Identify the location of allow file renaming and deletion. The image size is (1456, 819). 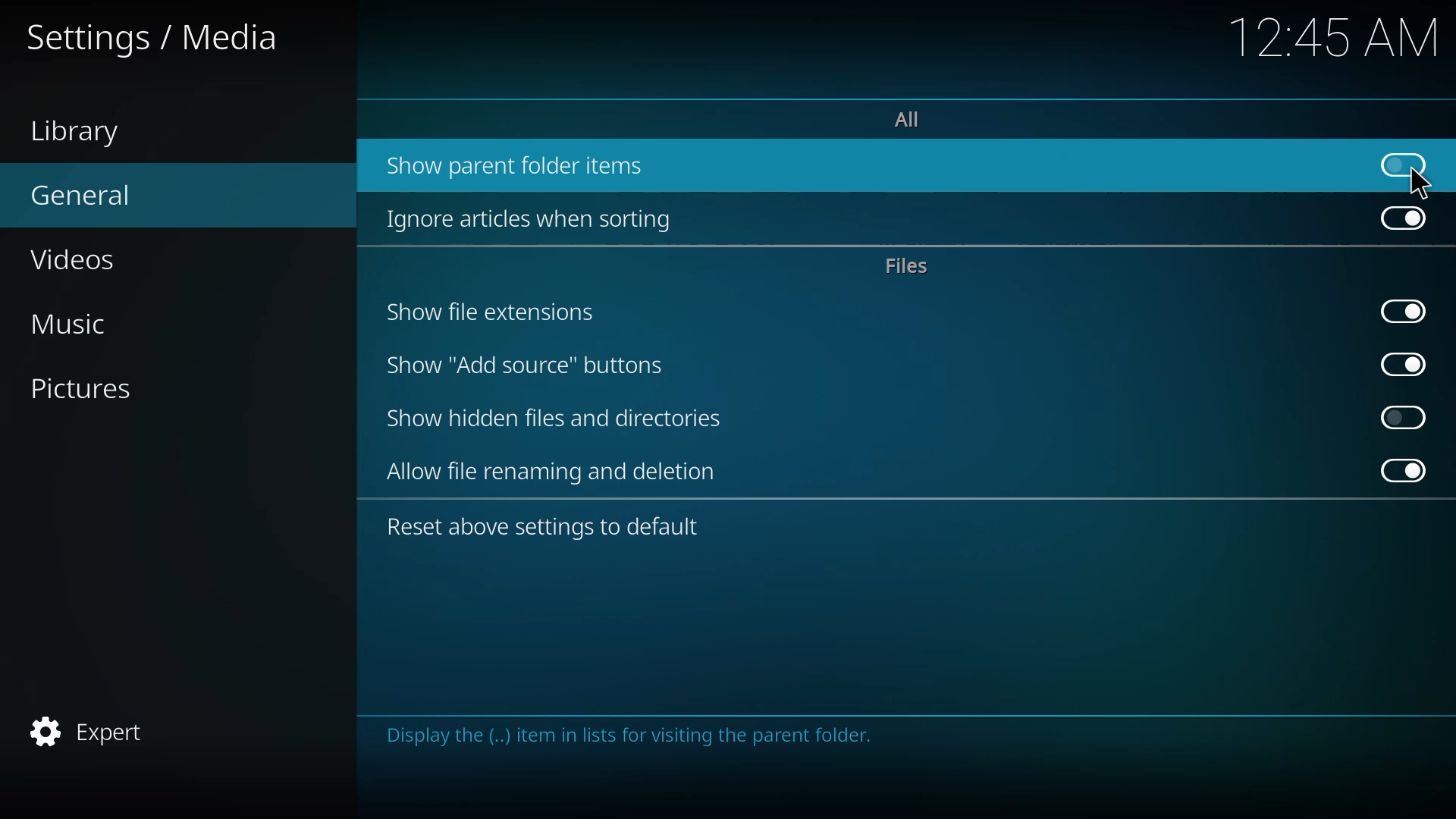
(556, 472).